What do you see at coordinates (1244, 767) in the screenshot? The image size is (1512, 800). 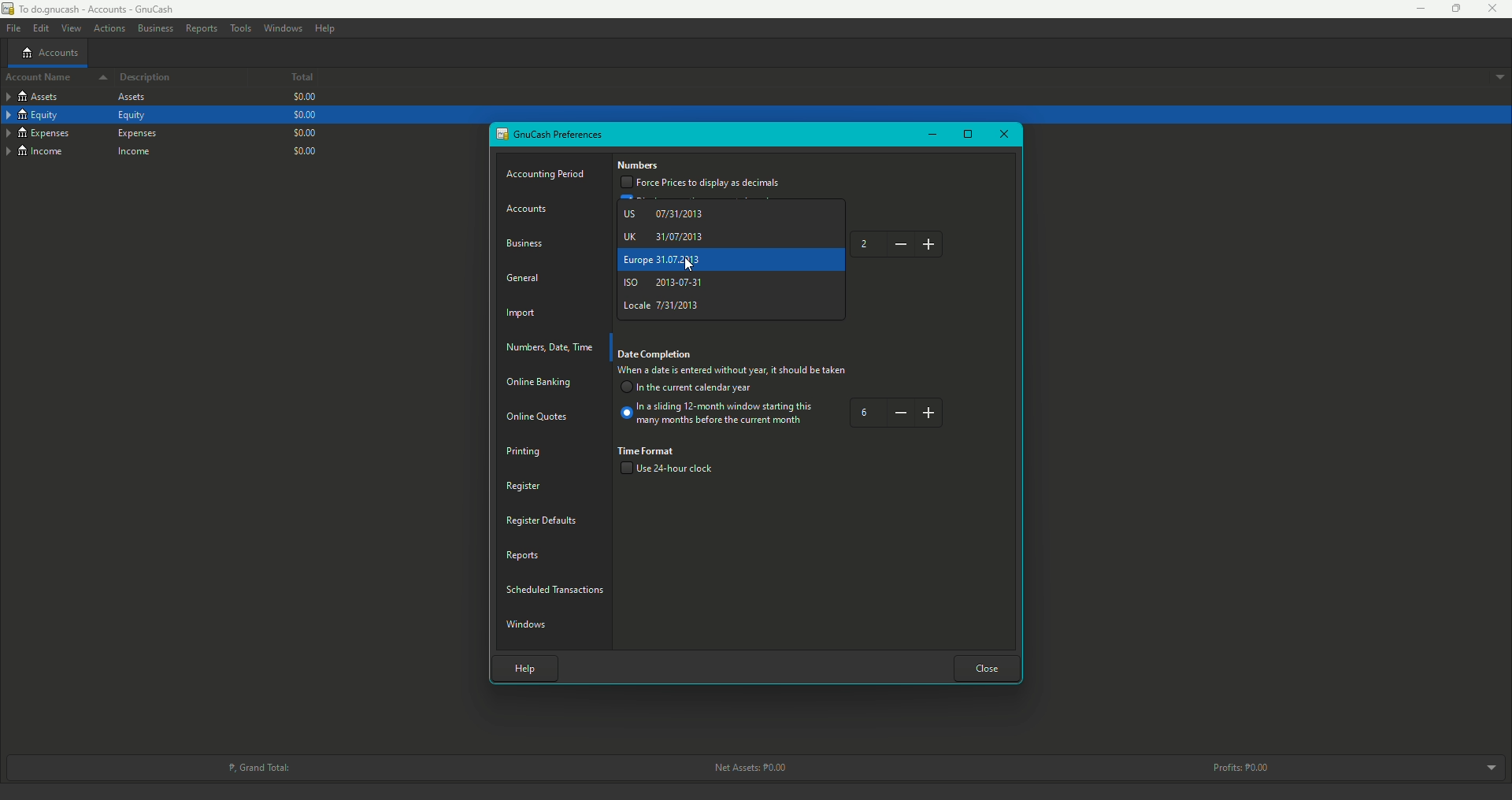 I see `Profits` at bounding box center [1244, 767].